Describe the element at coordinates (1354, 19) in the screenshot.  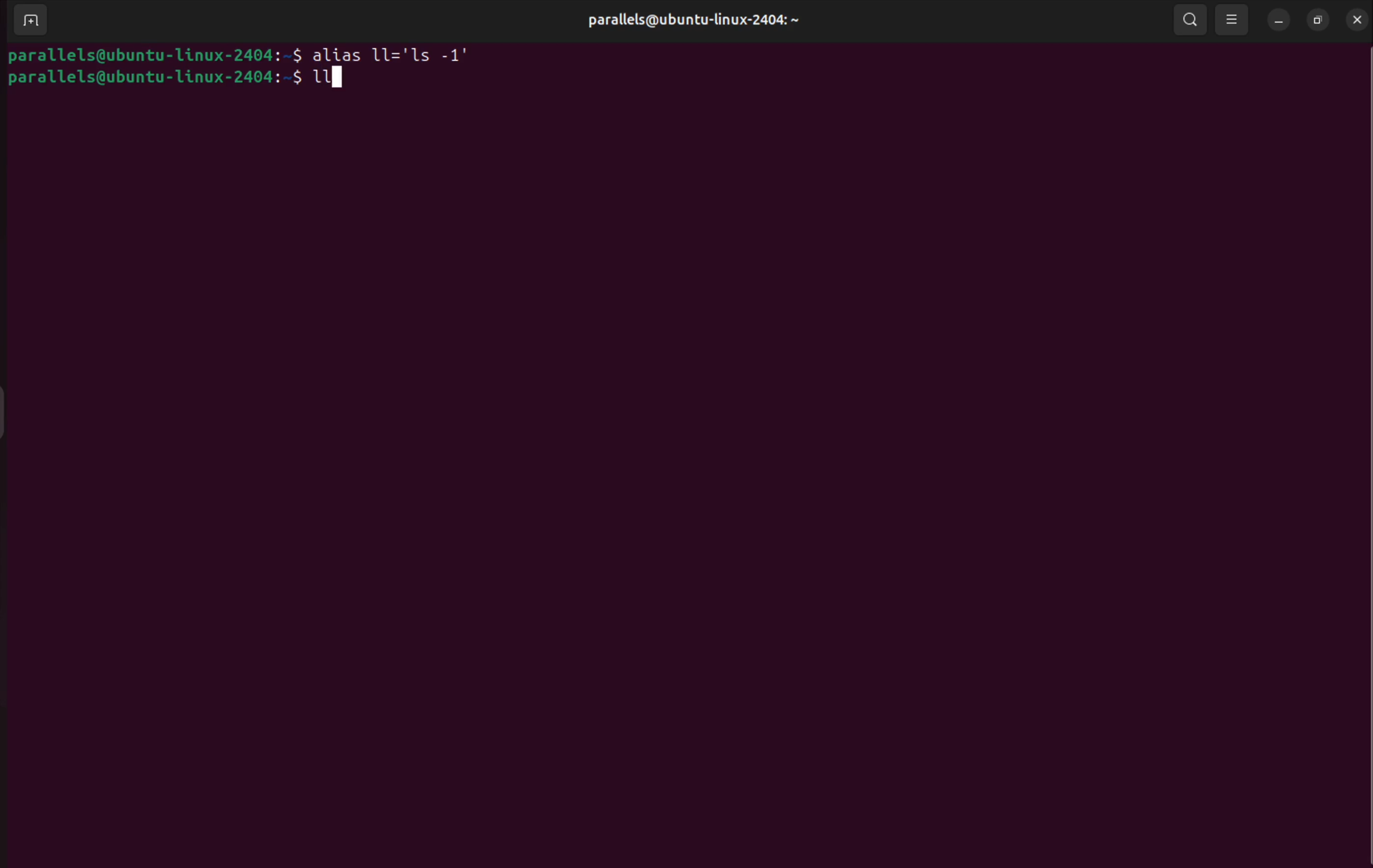
I see `close` at that location.